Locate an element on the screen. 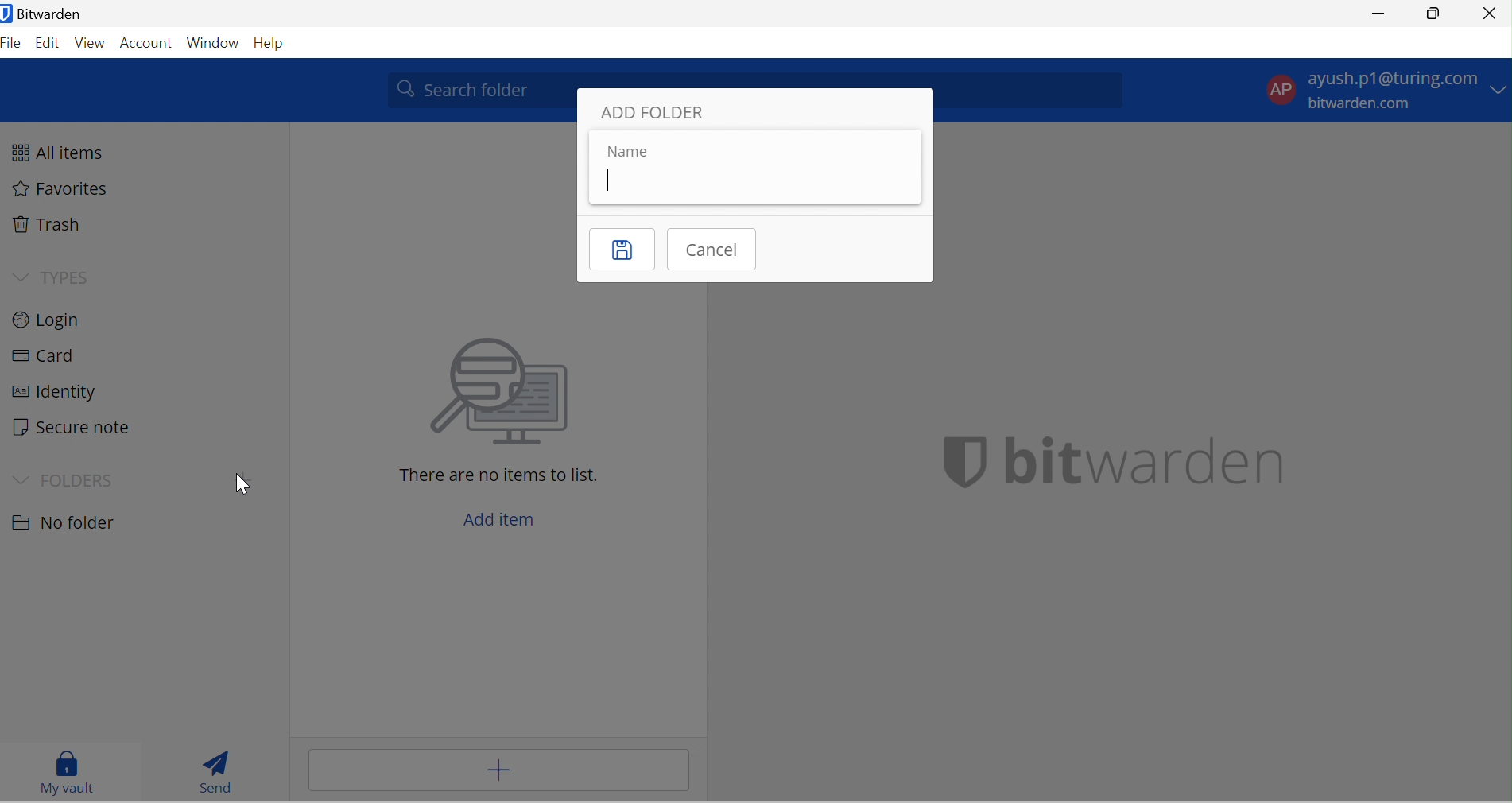 This screenshot has width=1512, height=803. Add item is located at coordinates (508, 517).